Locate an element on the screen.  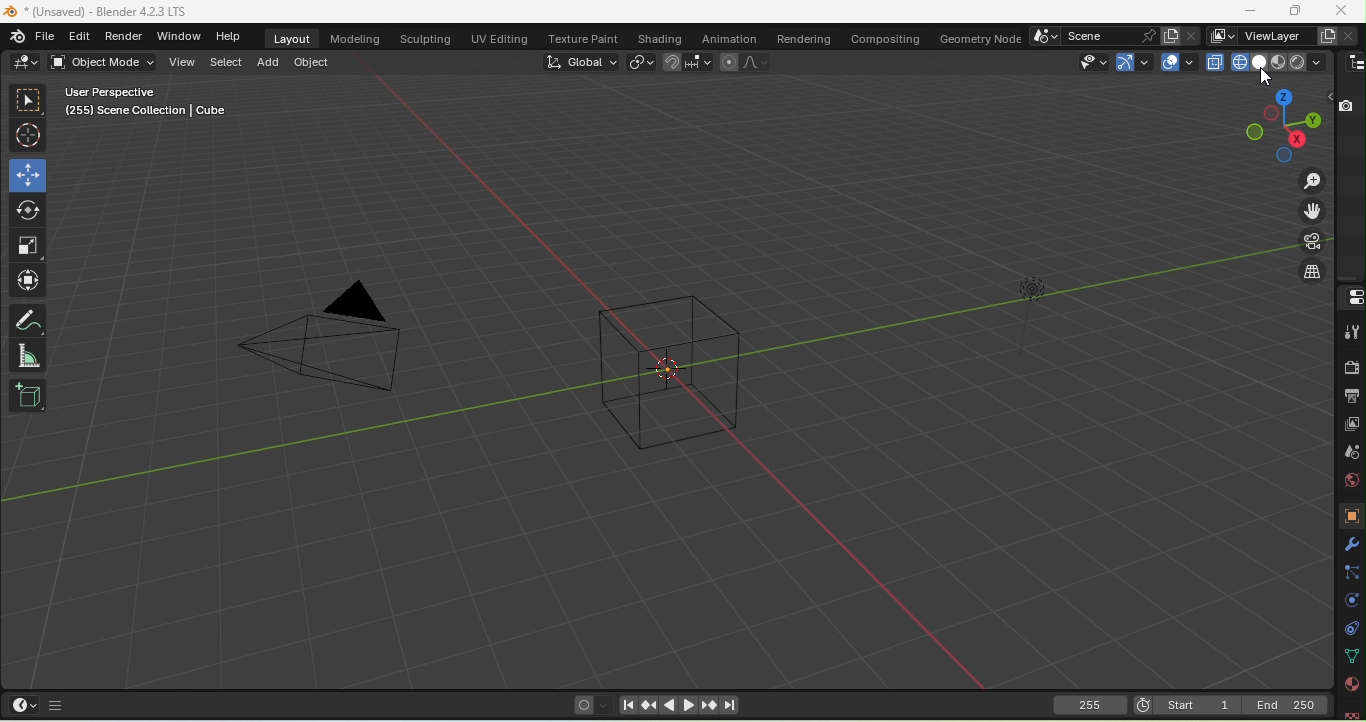
Editor type is located at coordinates (1352, 296).